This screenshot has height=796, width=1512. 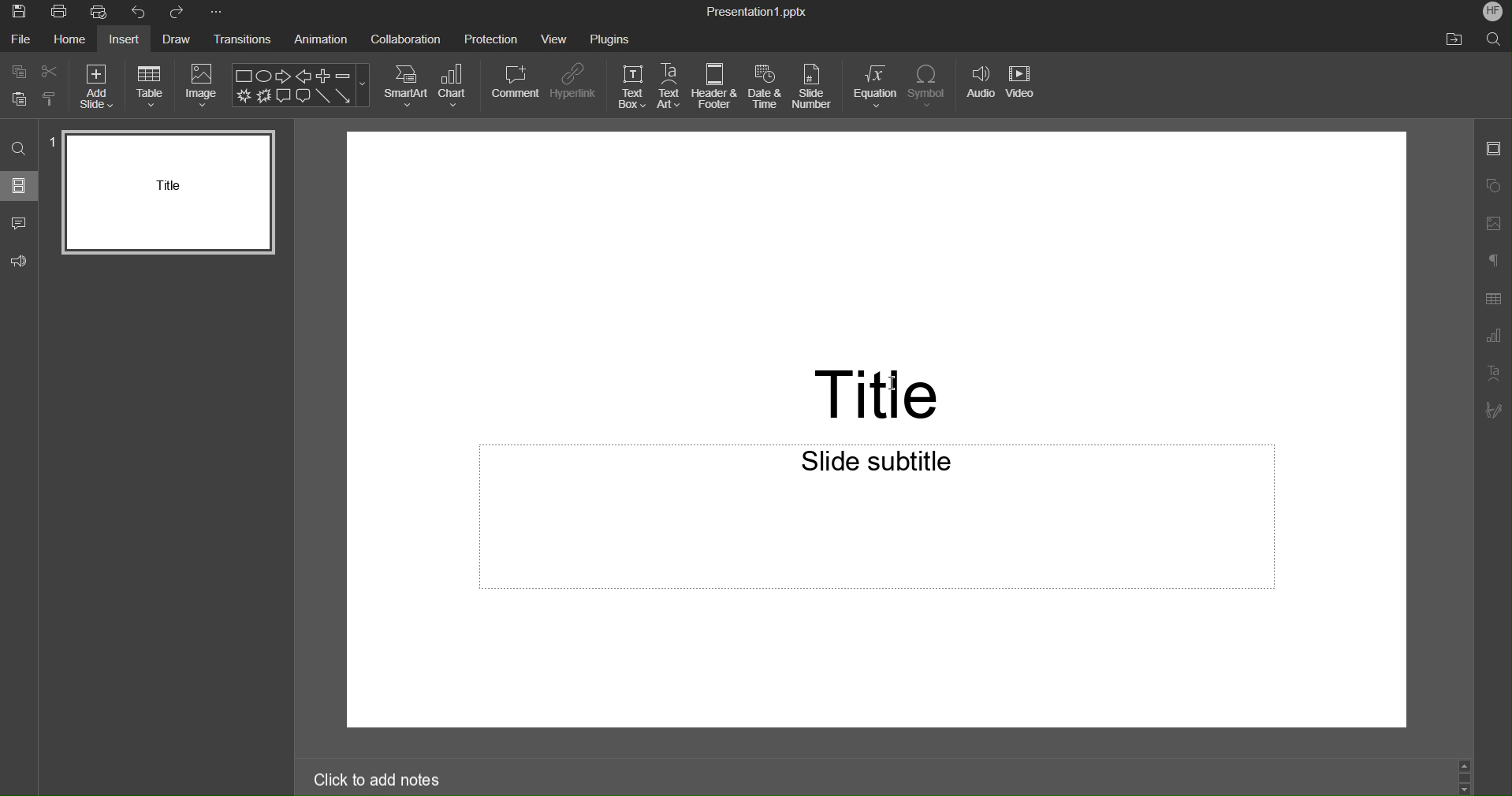 I want to click on Cut, so click(x=49, y=73).